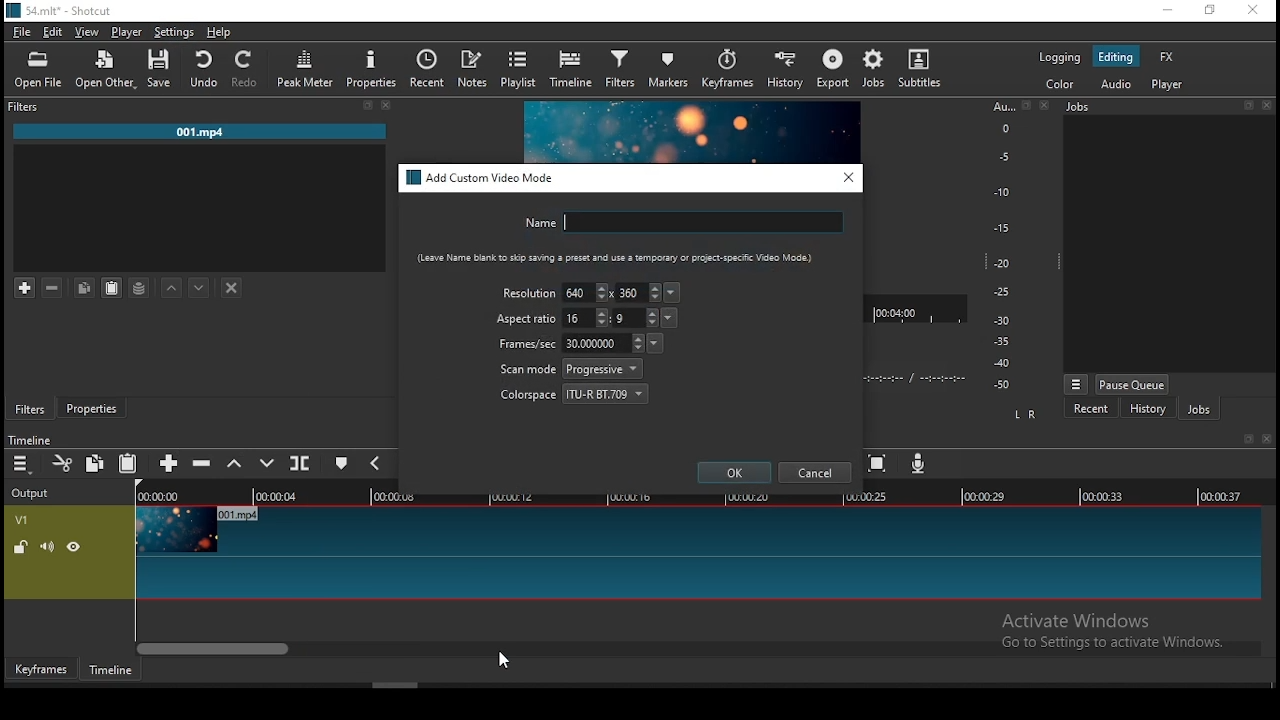 Image resolution: width=1280 pixels, height=720 pixels. What do you see at coordinates (1199, 410) in the screenshot?
I see `jobs` at bounding box center [1199, 410].